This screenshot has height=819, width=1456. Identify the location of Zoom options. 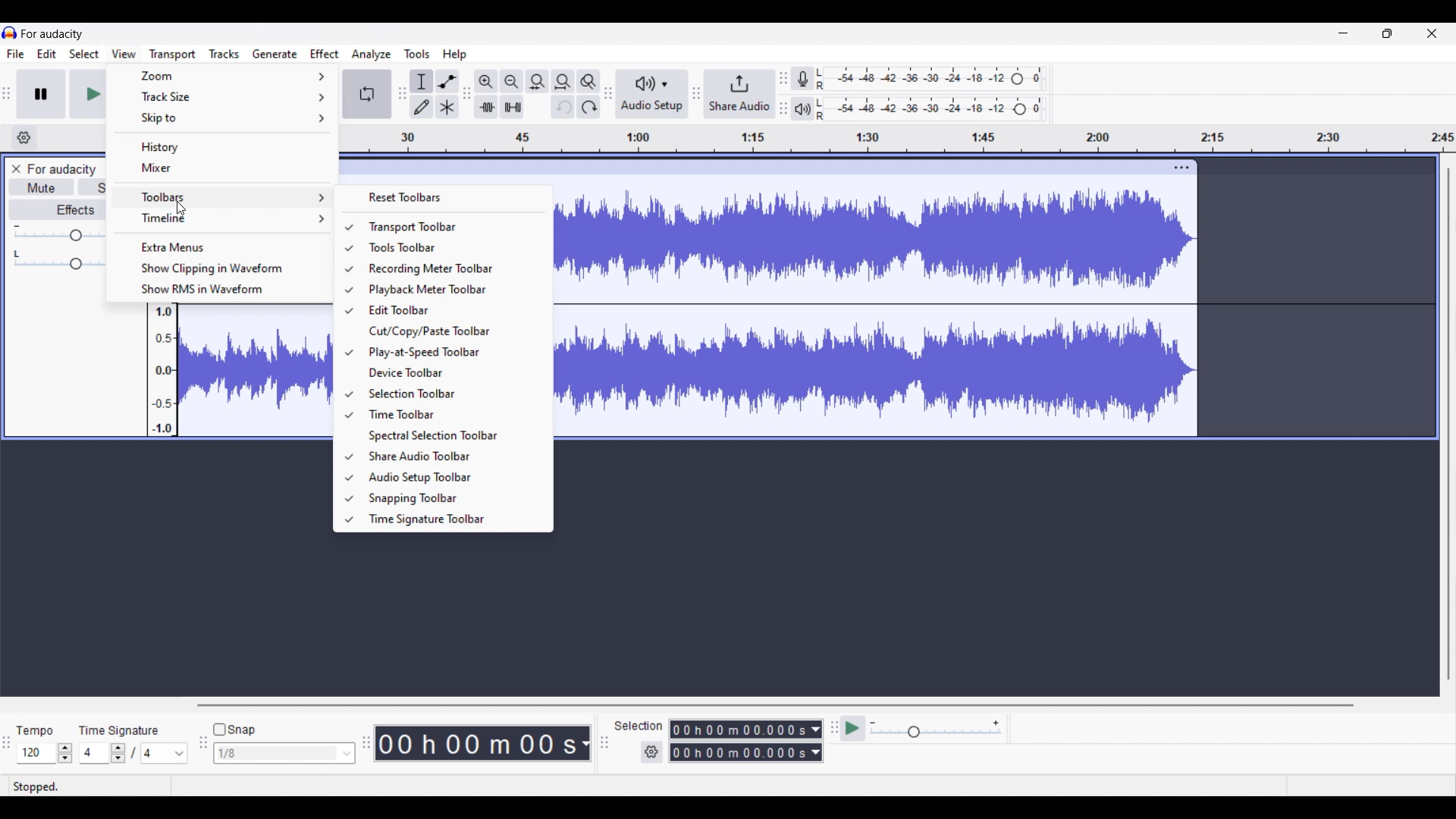
(224, 75).